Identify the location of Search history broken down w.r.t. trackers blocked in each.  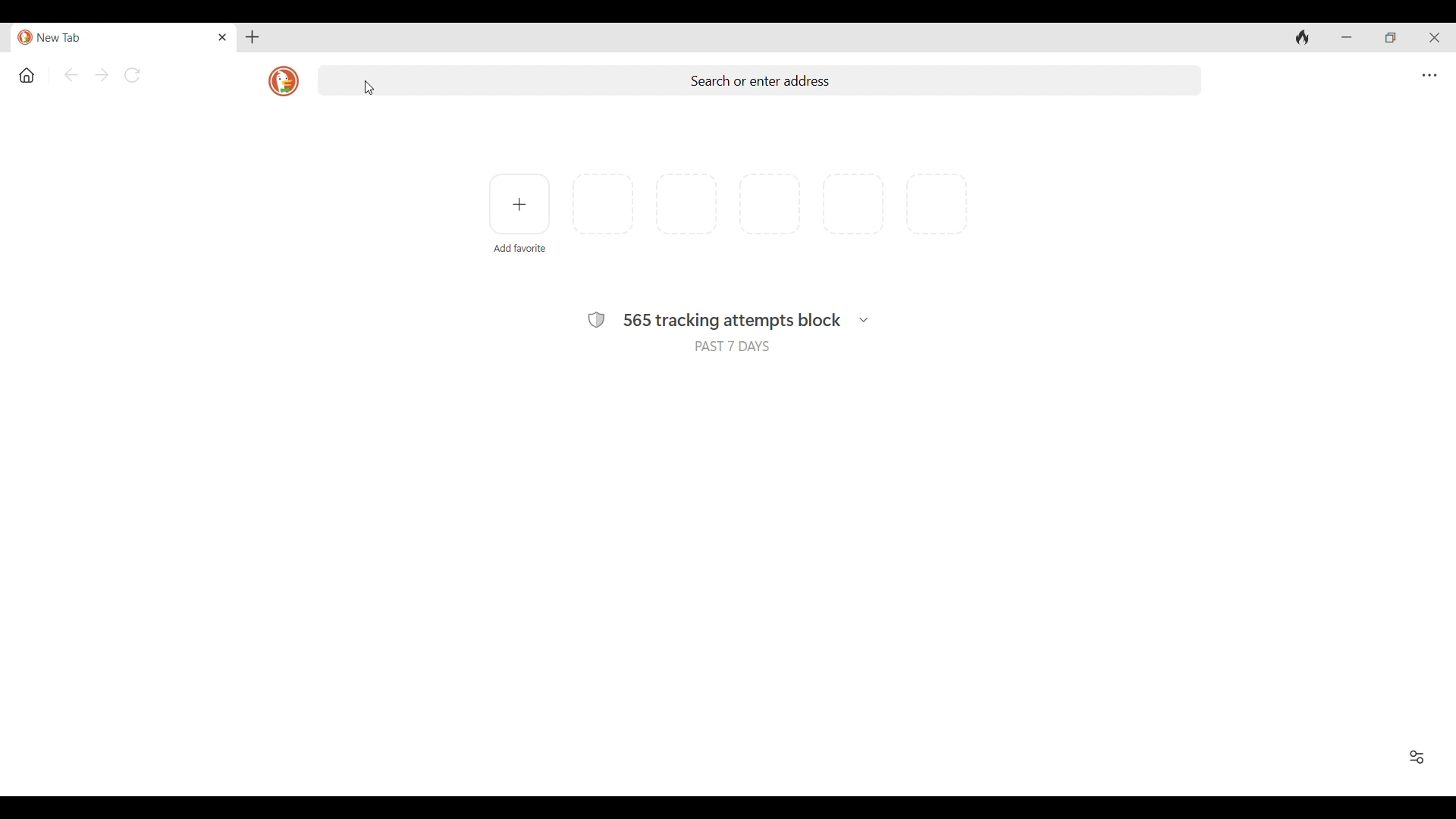
(864, 320).